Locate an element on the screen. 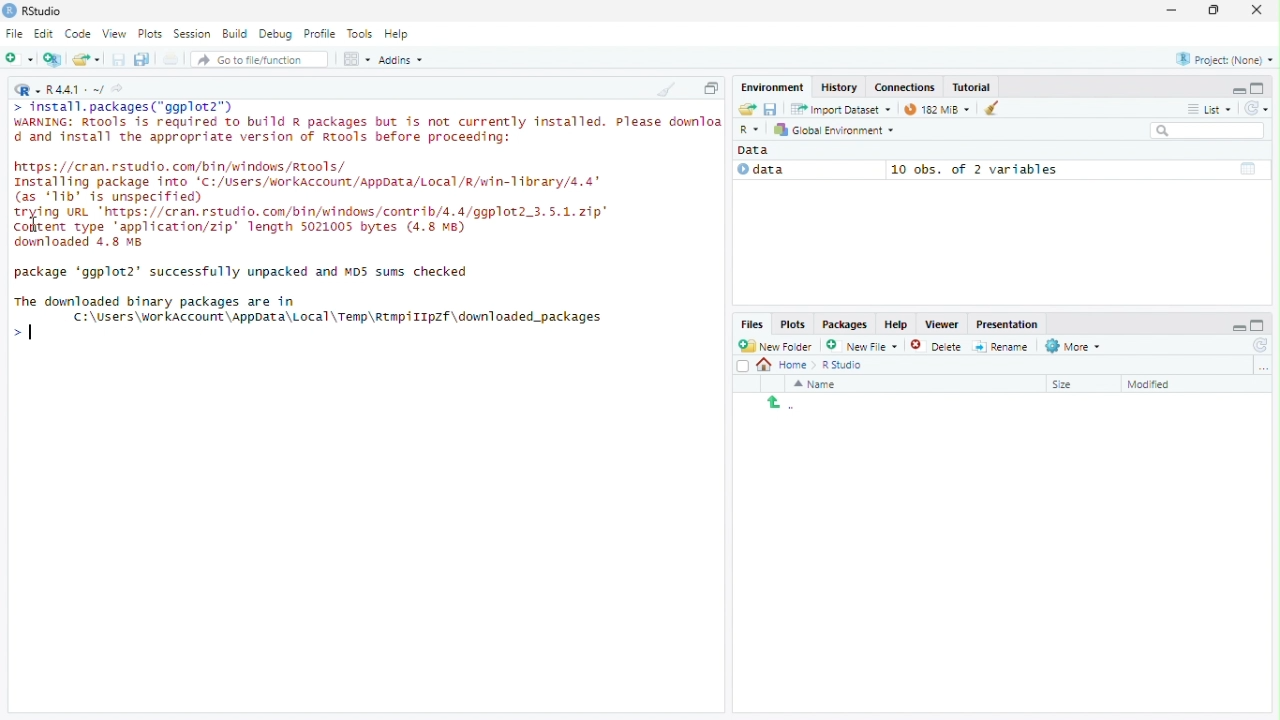 The height and width of the screenshot is (720, 1280). Session is located at coordinates (193, 33).